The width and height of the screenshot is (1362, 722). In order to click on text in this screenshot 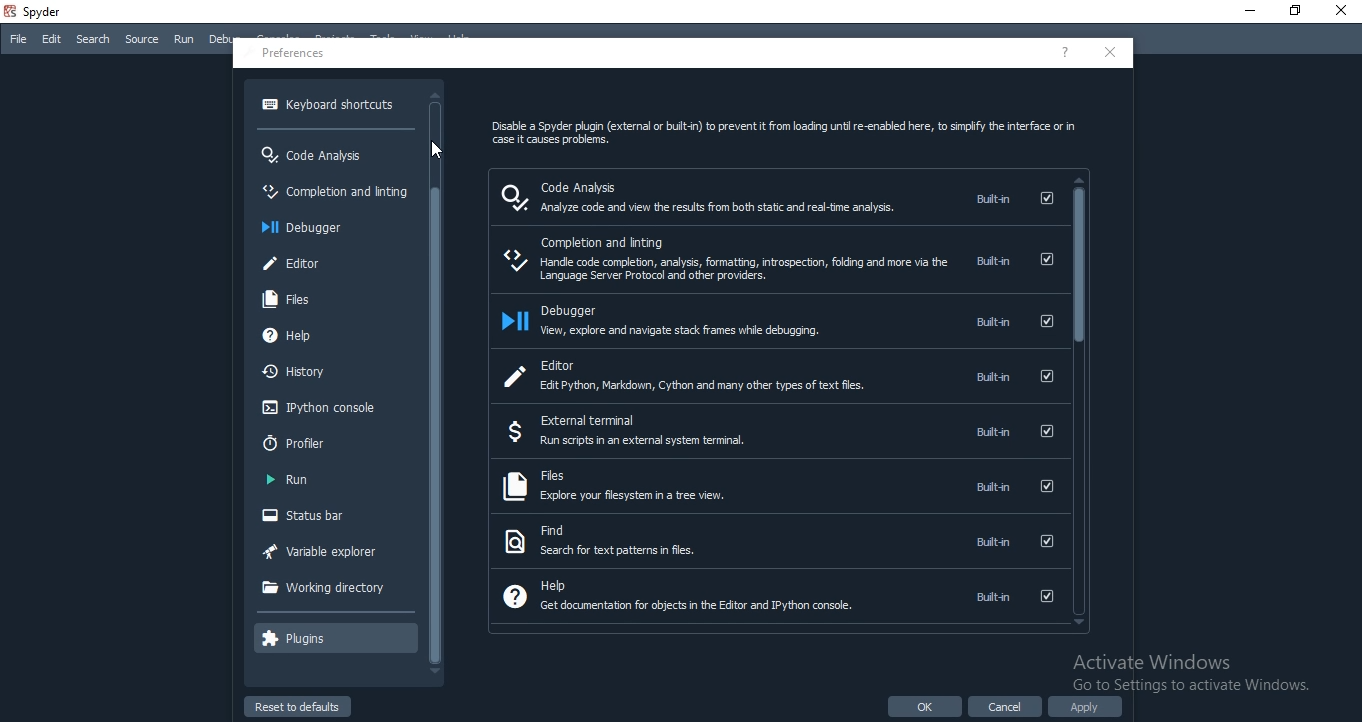, I will do `click(990, 541)`.